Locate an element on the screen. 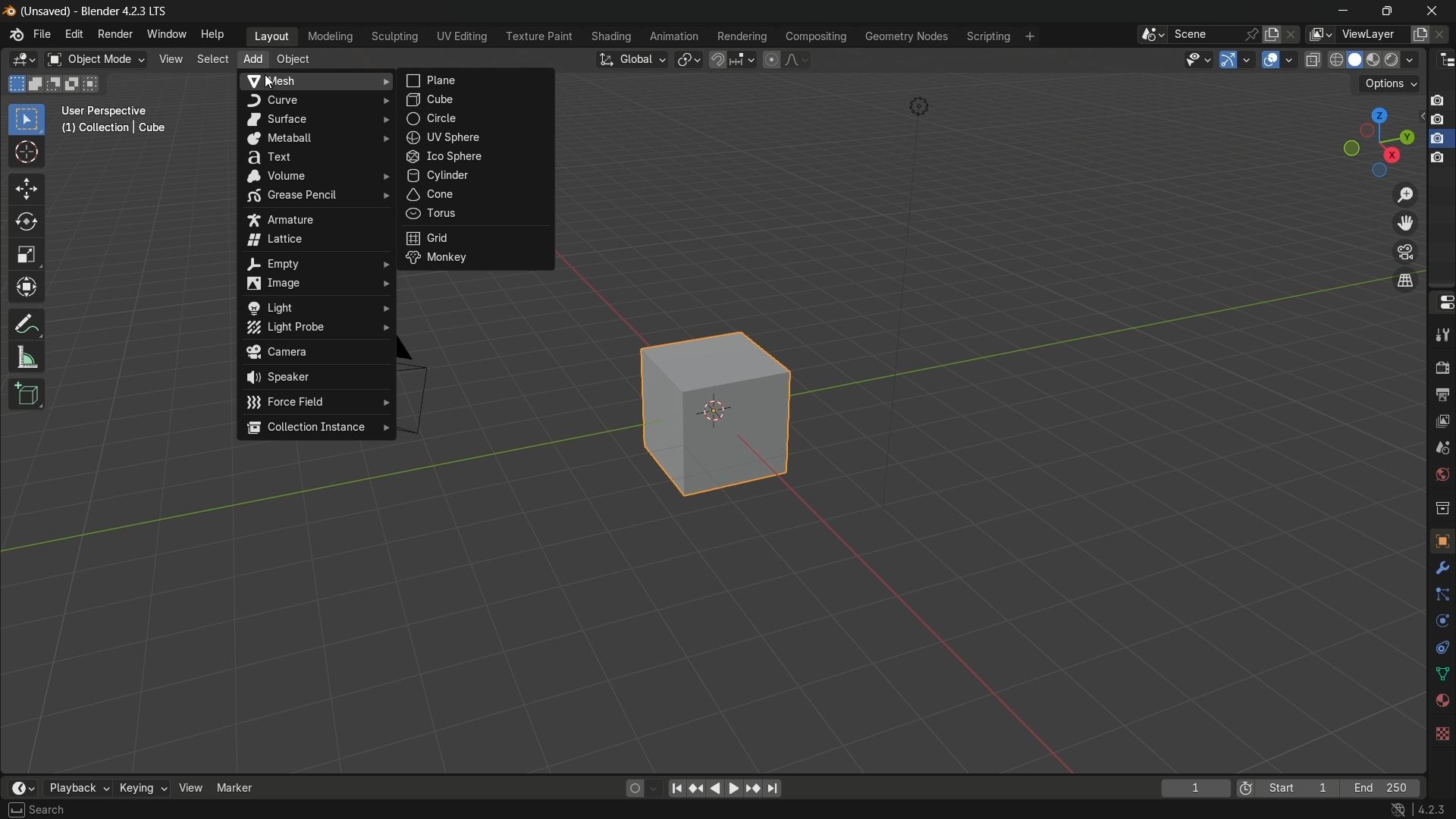  auto keying is located at coordinates (632, 789).